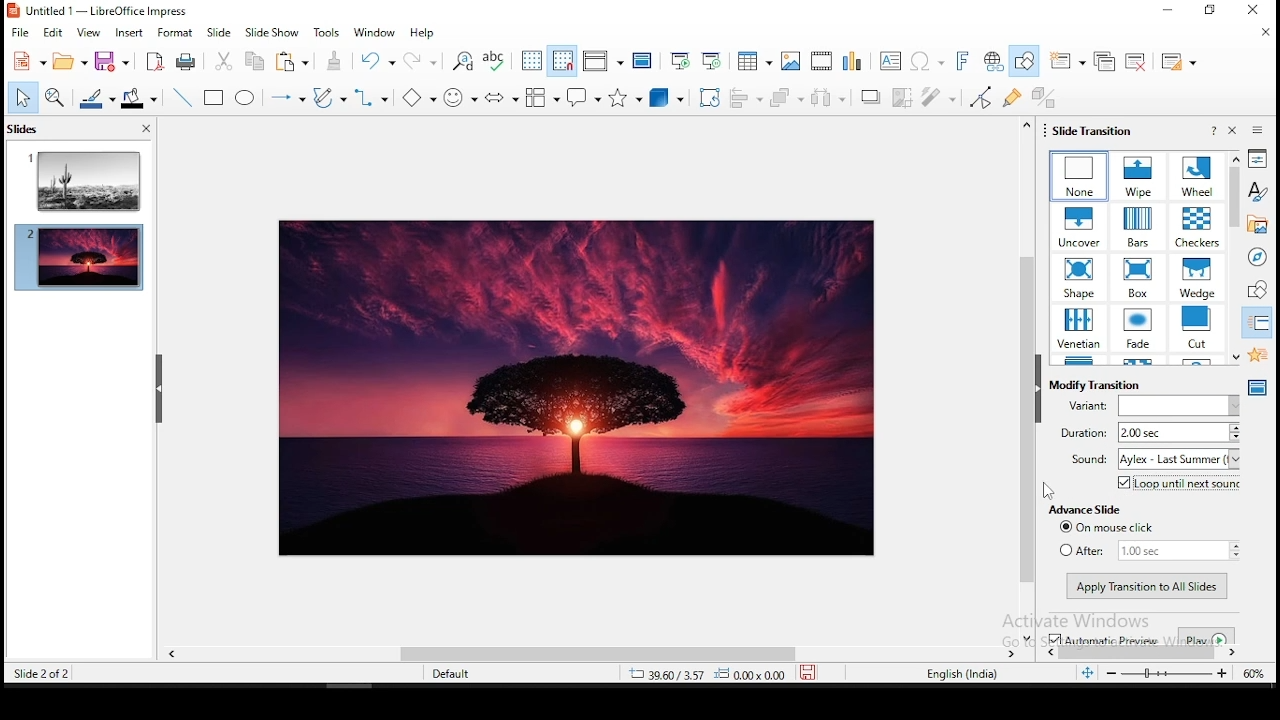  What do you see at coordinates (330, 32) in the screenshot?
I see `tools` at bounding box center [330, 32].